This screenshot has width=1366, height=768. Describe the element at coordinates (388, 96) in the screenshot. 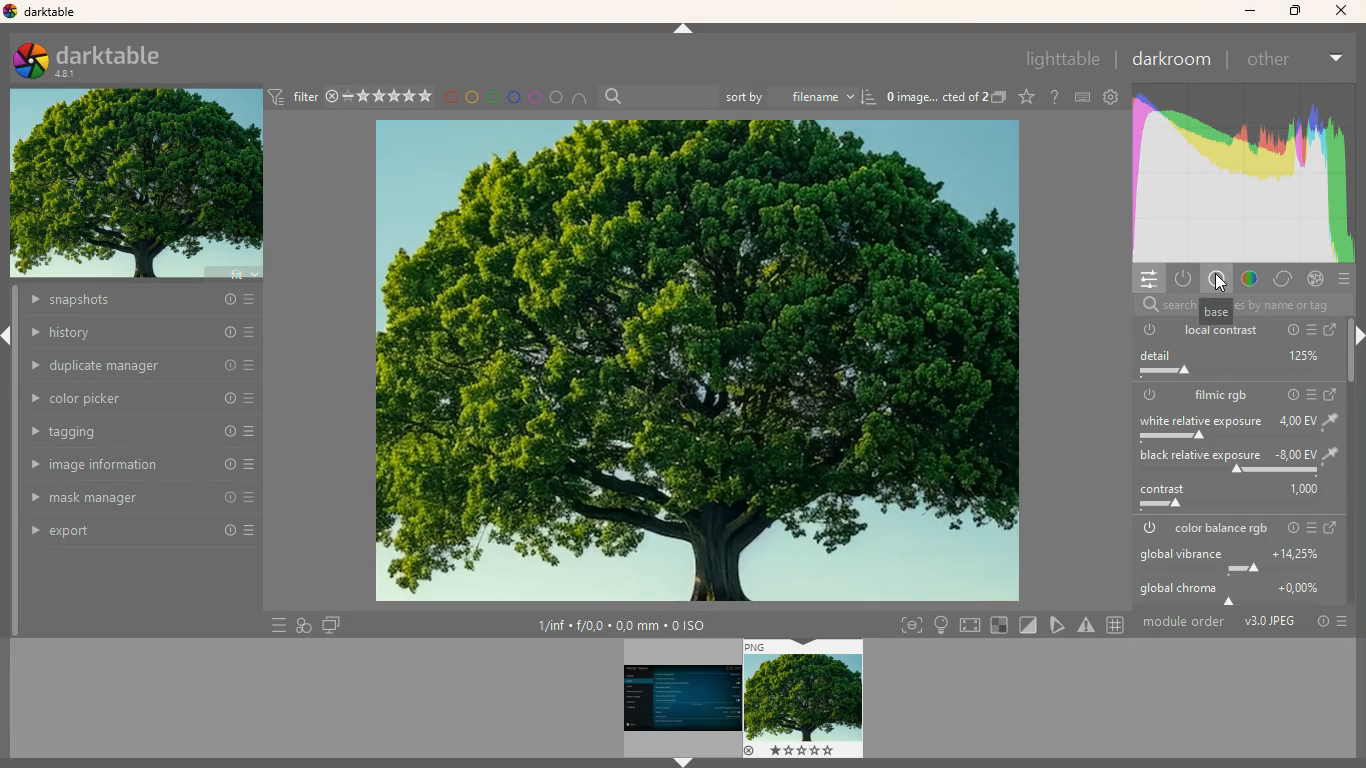

I see `rating` at that location.